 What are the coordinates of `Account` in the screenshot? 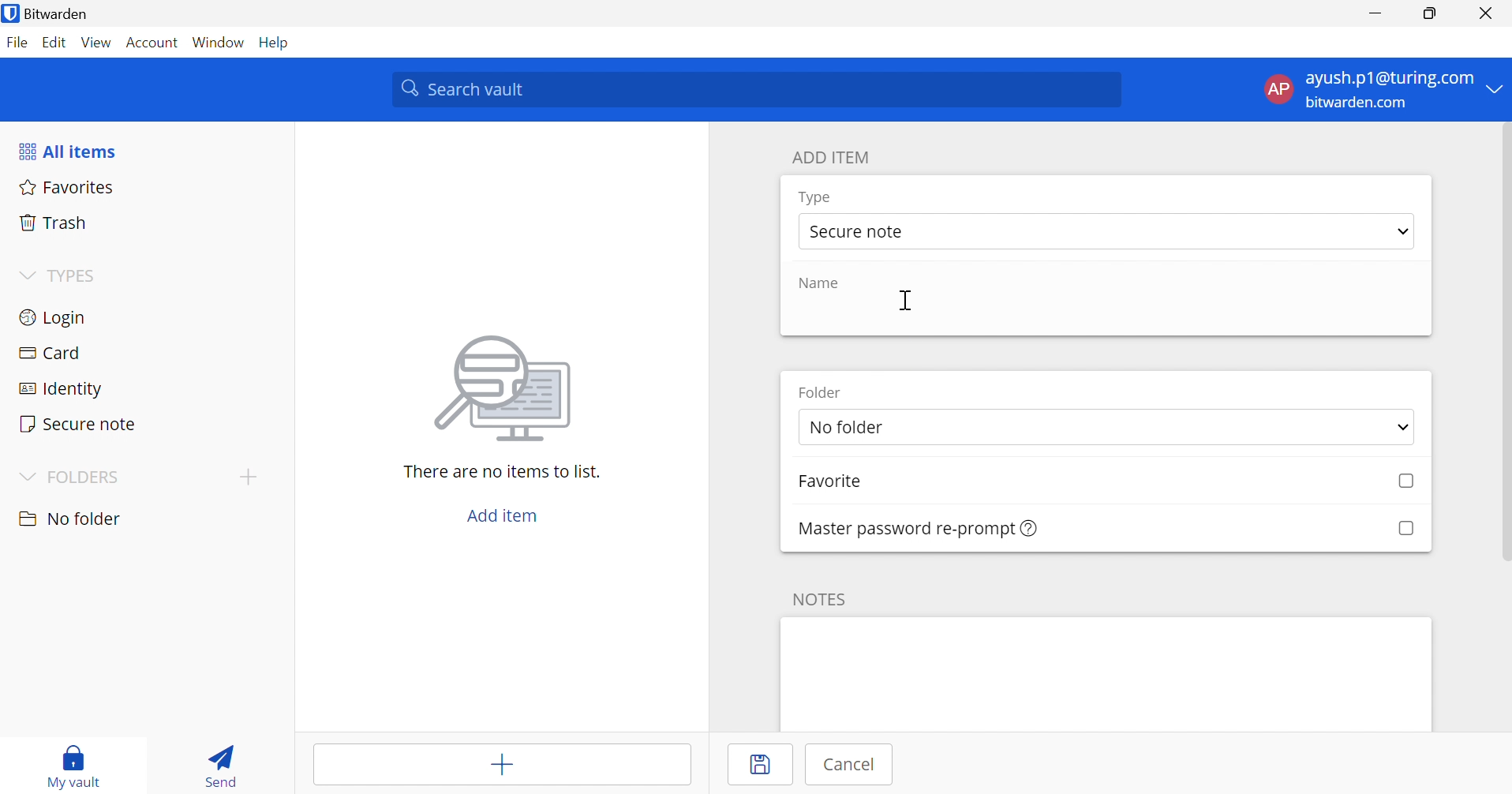 It's located at (152, 43).